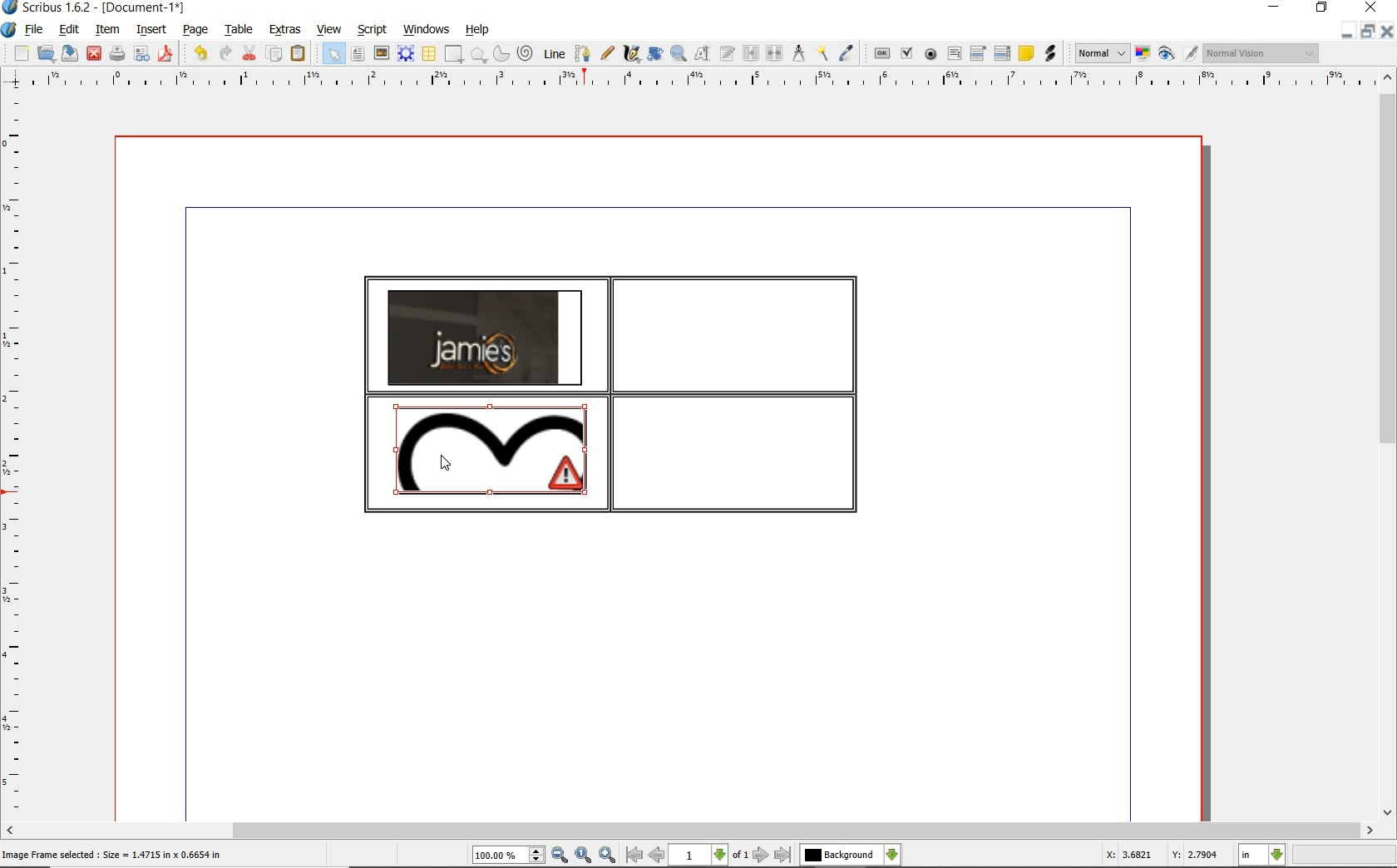  Describe the element at coordinates (709, 855) in the screenshot. I see `select current page level` at that location.